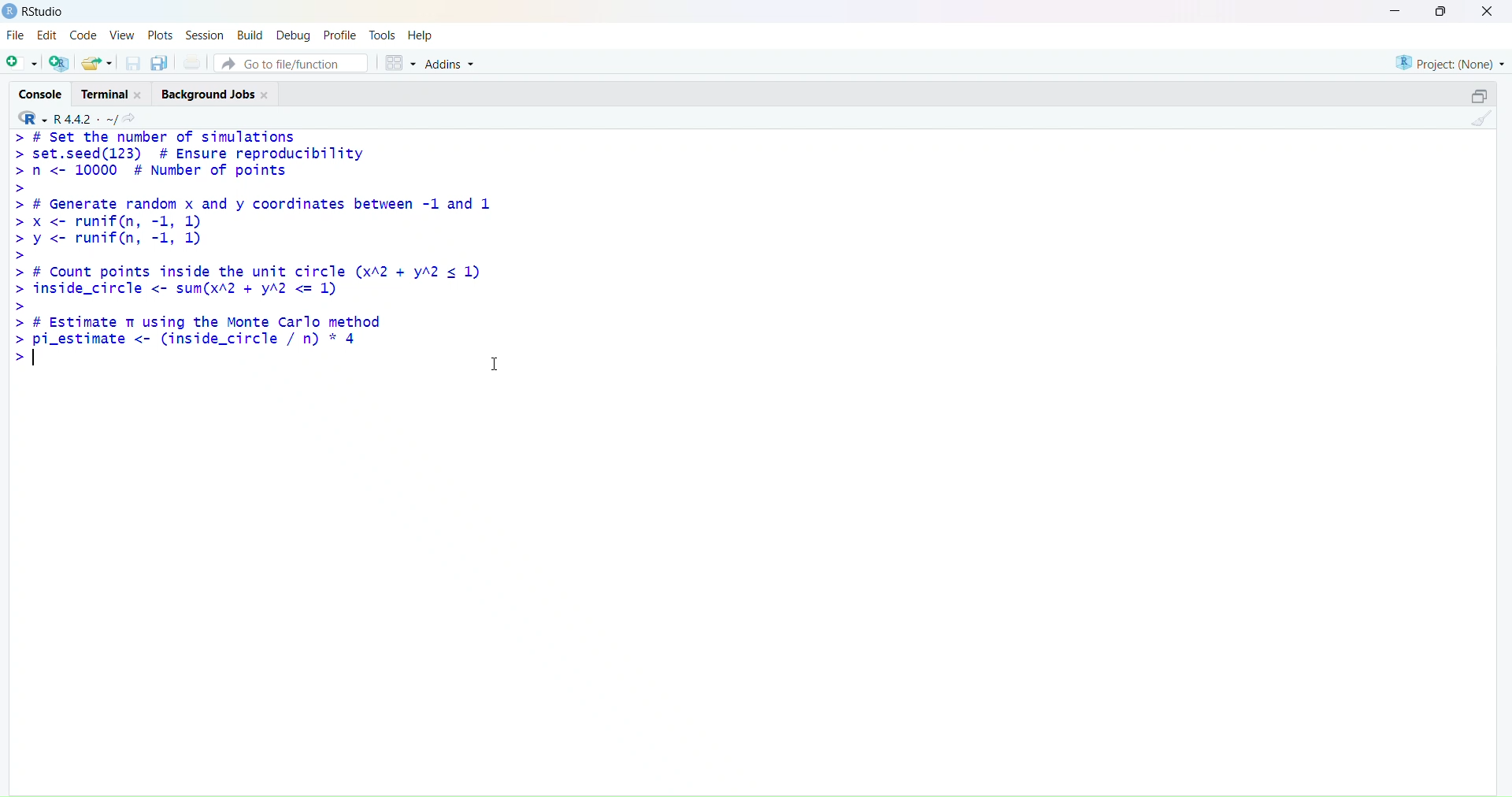 The image size is (1512, 797). I want to click on Text Cursor, so click(491, 363).